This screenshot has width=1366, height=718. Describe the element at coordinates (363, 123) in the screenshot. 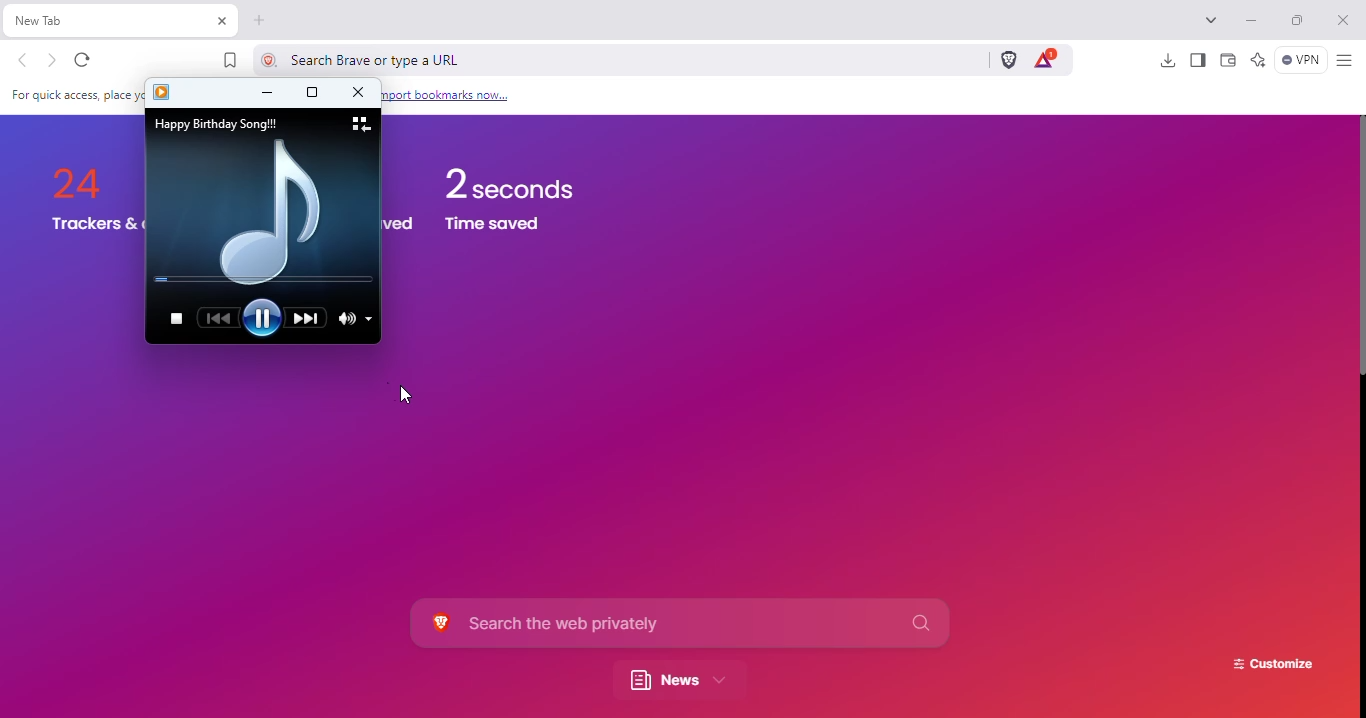

I see `switch to library` at that location.